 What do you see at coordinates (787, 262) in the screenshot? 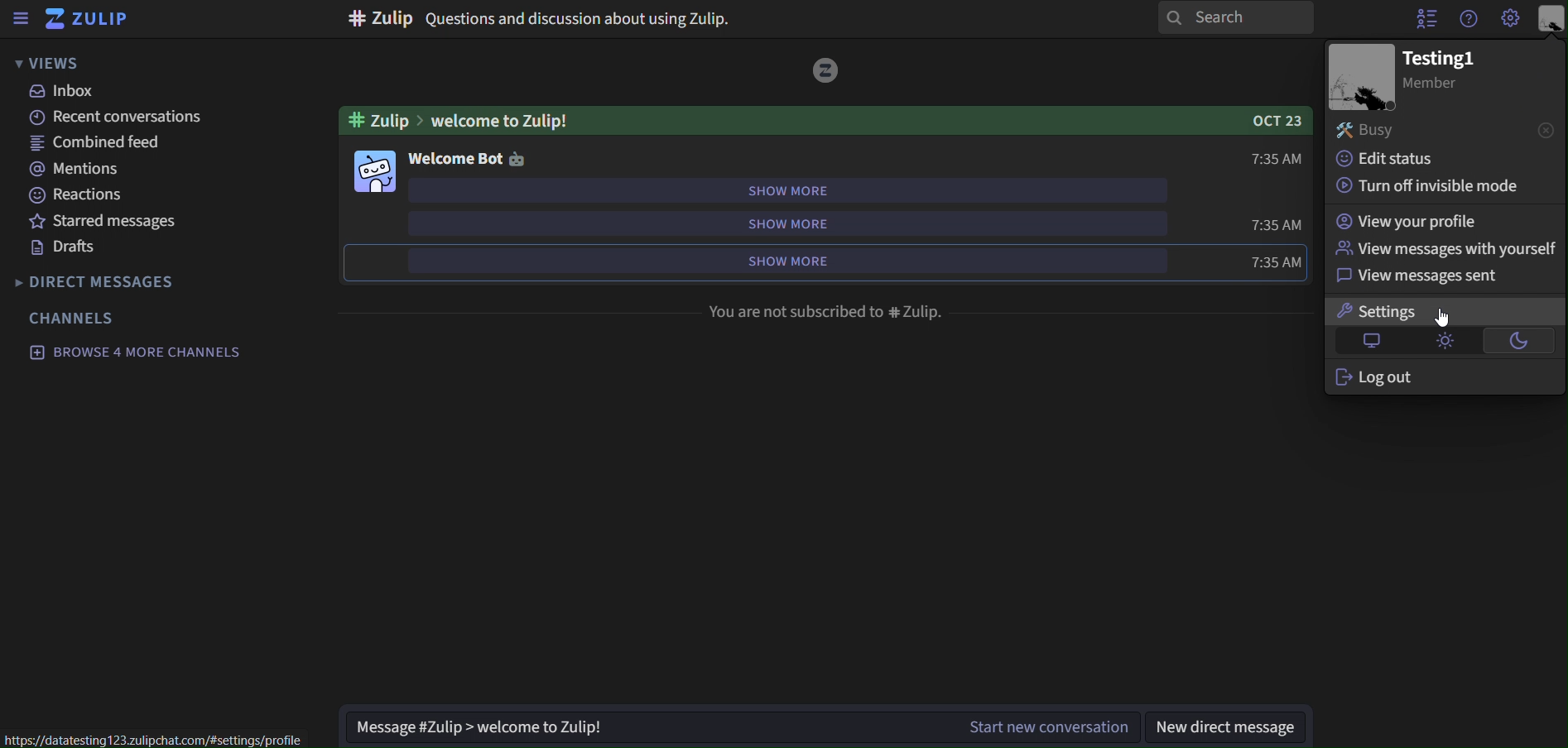
I see `show more` at bounding box center [787, 262].